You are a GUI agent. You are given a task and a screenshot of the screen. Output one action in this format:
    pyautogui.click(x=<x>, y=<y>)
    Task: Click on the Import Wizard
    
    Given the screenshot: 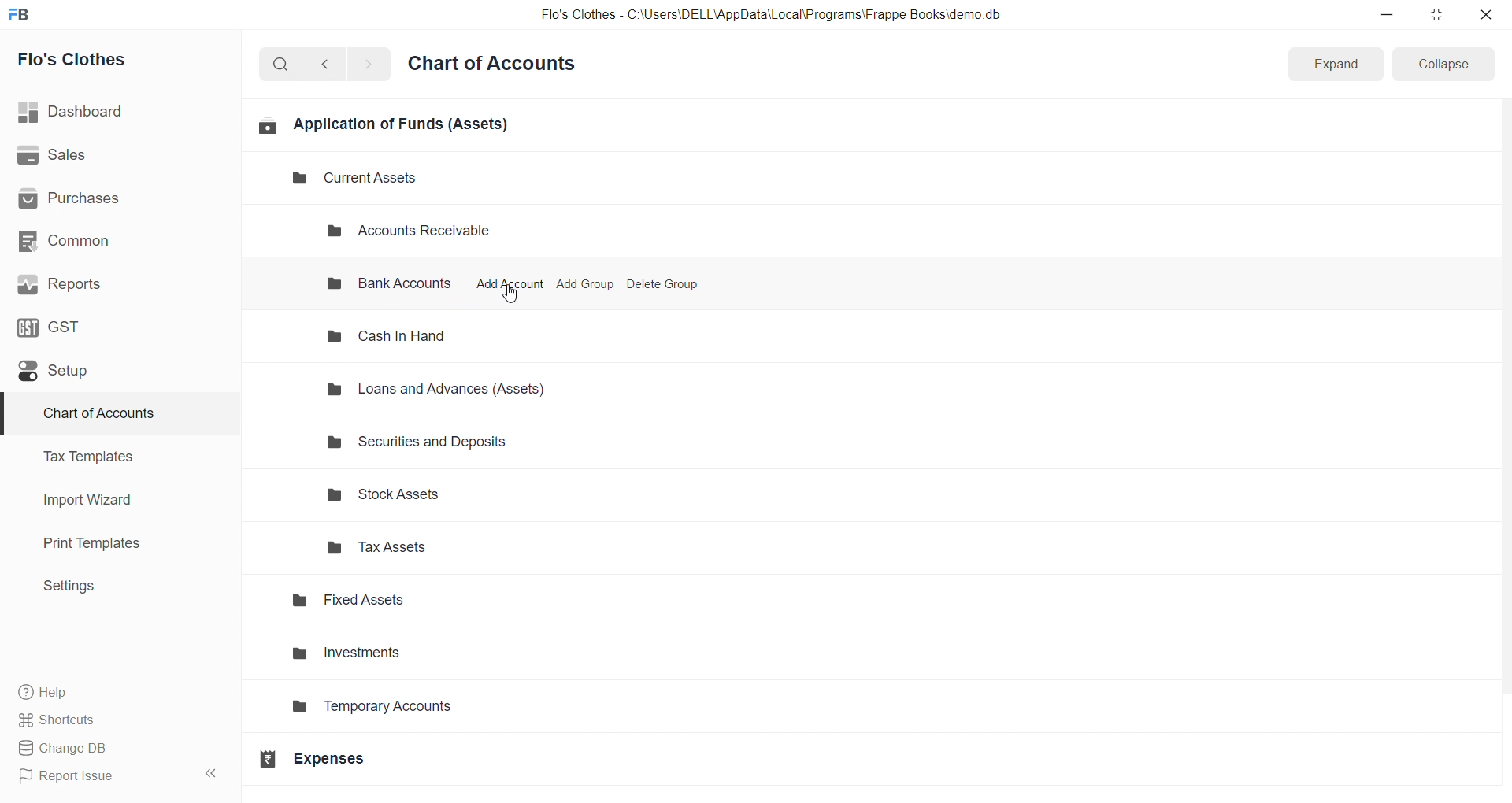 What is the action you would take?
    pyautogui.click(x=112, y=500)
    